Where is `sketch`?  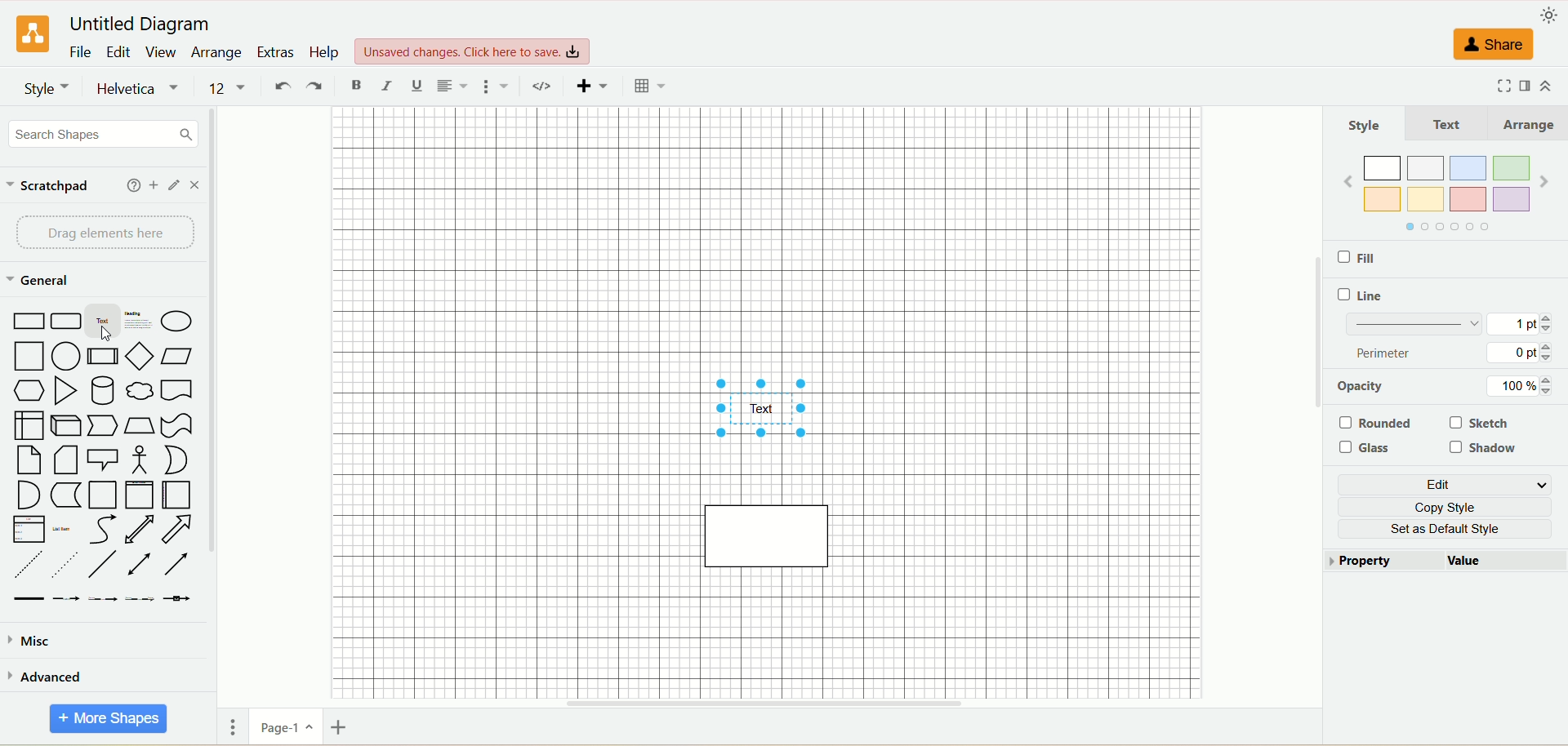 sketch is located at coordinates (1479, 424).